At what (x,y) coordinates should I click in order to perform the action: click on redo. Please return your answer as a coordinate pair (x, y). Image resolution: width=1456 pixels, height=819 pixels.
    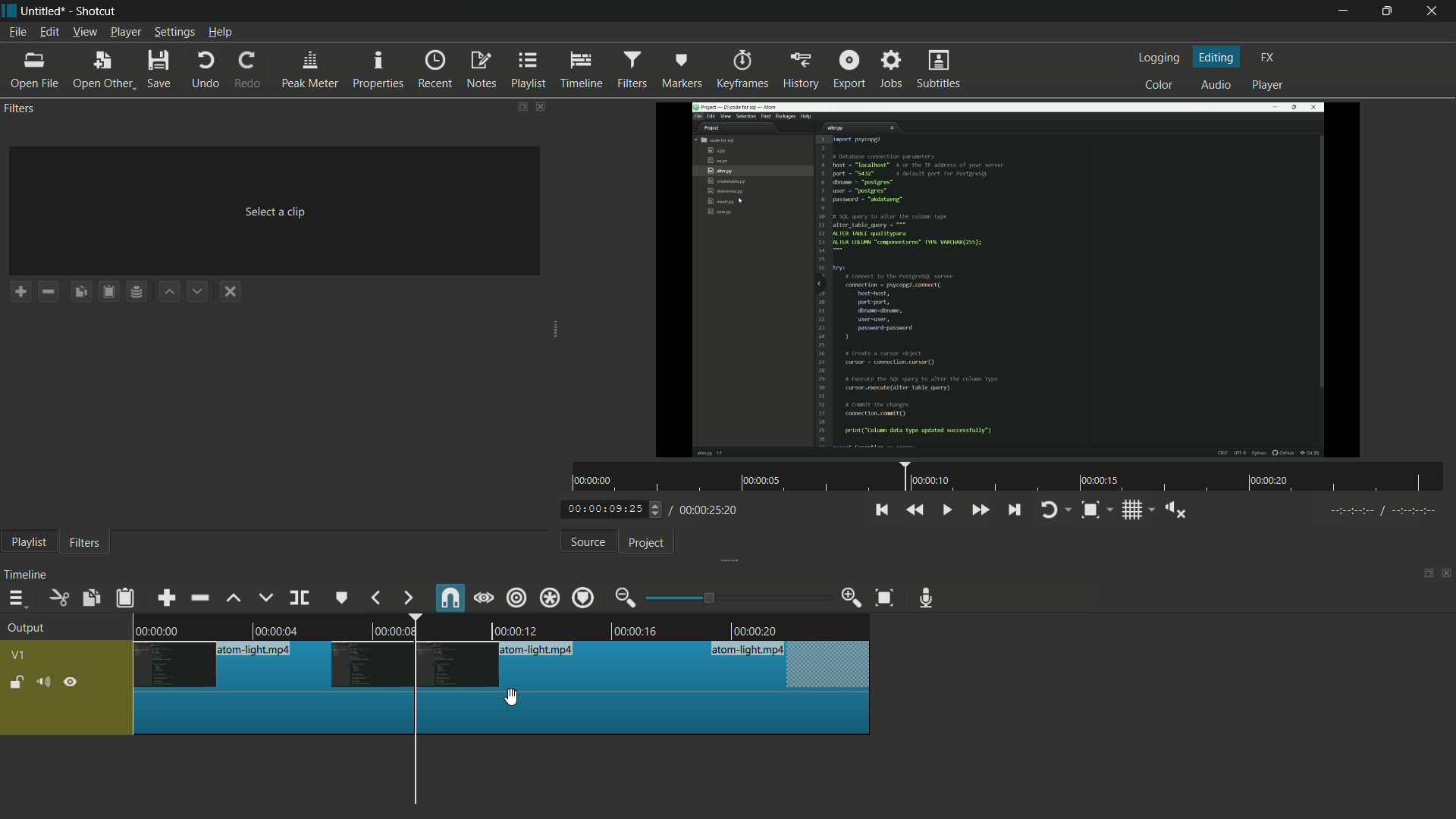
    Looking at the image, I should click on (251, 71).